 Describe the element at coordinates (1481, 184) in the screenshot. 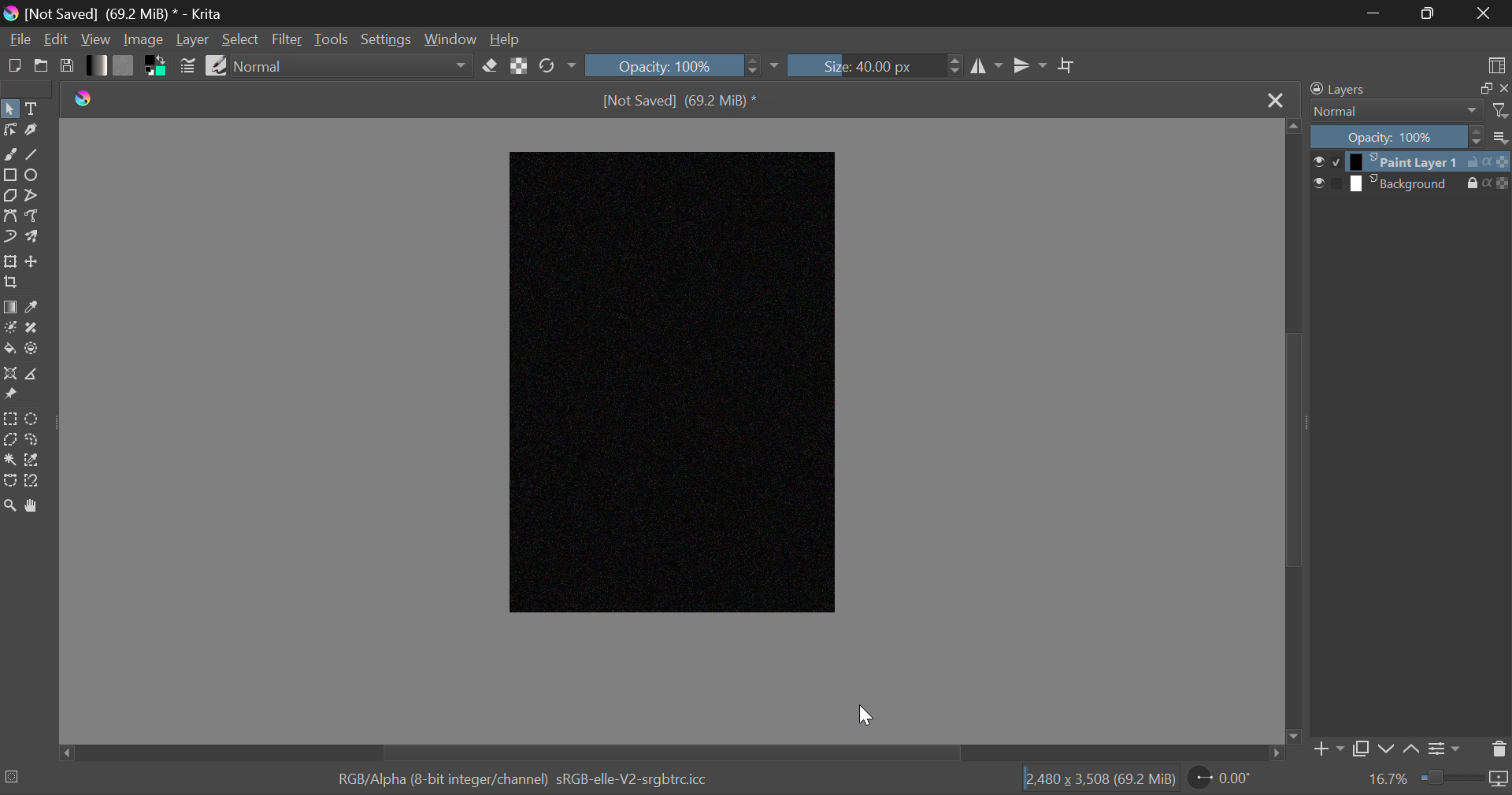

I see `alpha` at that location.